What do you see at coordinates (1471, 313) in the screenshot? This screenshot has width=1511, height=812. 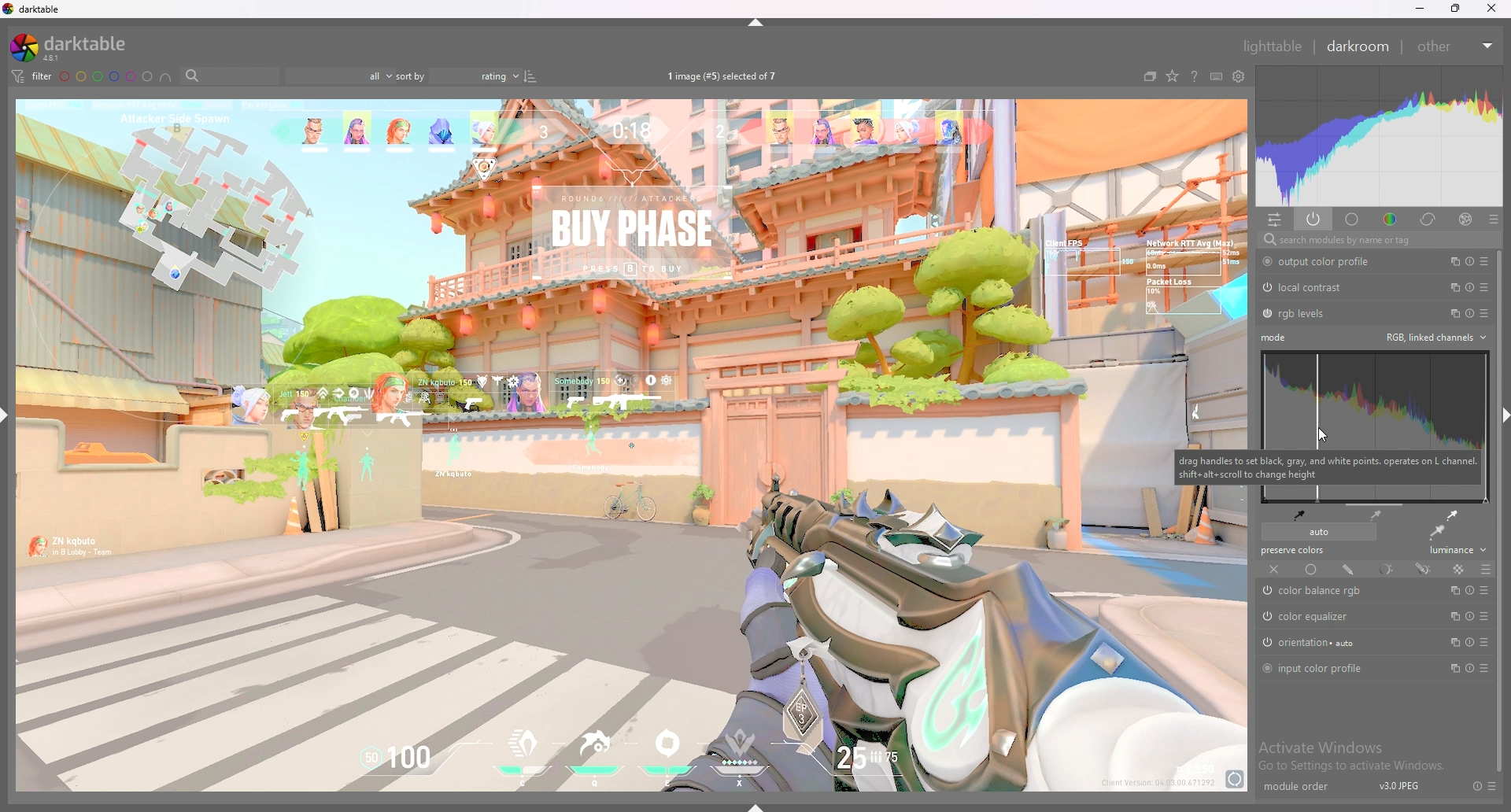 I see `reset` at bounding box center [1471, 313].